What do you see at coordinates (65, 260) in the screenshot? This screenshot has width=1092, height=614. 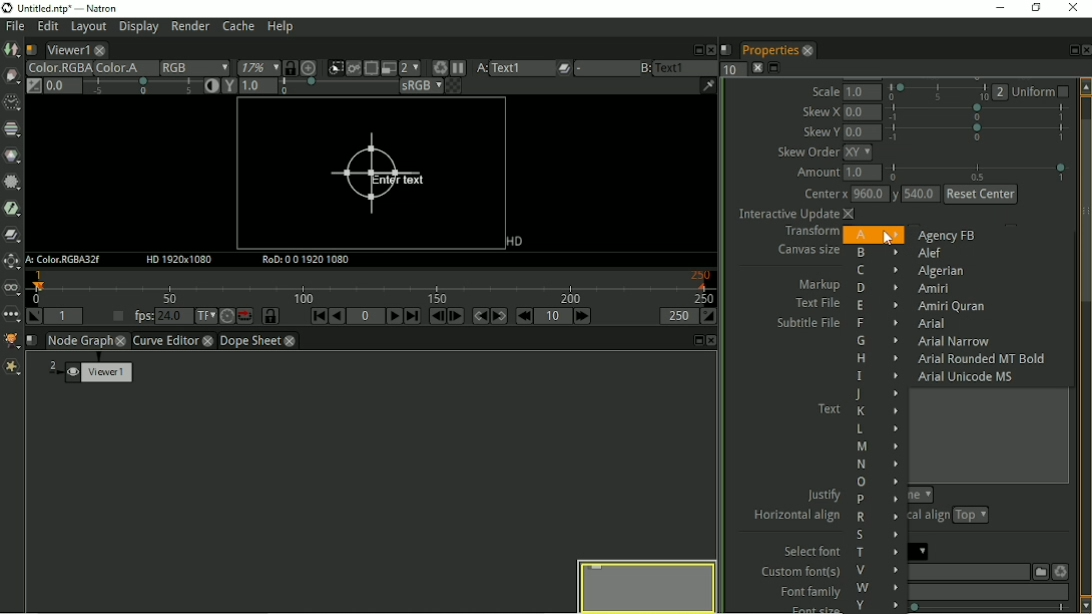 I see `A: Color` at bounding box center [65, 260].